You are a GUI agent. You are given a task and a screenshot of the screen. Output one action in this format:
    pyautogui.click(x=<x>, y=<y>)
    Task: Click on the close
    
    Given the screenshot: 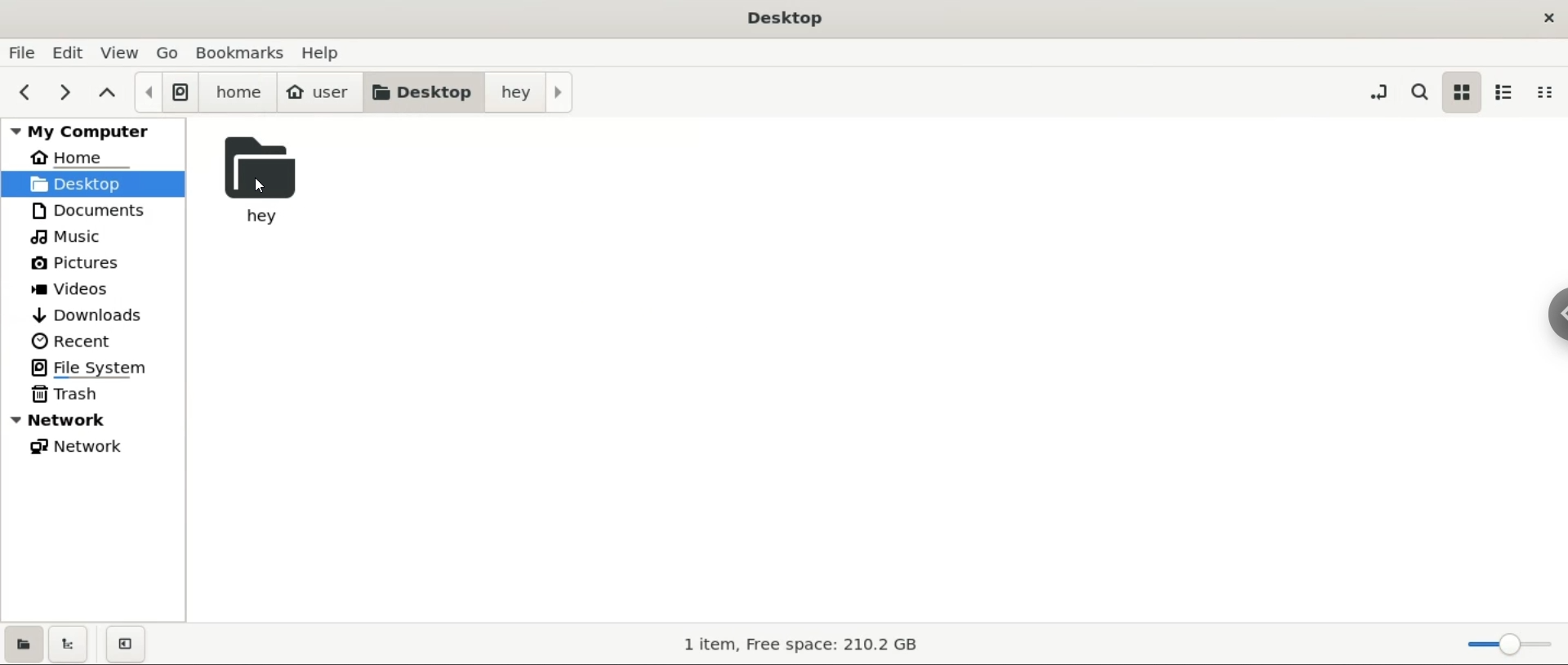 What is the action you would take?
    pyautogui.click(x=1548, y=15)
    